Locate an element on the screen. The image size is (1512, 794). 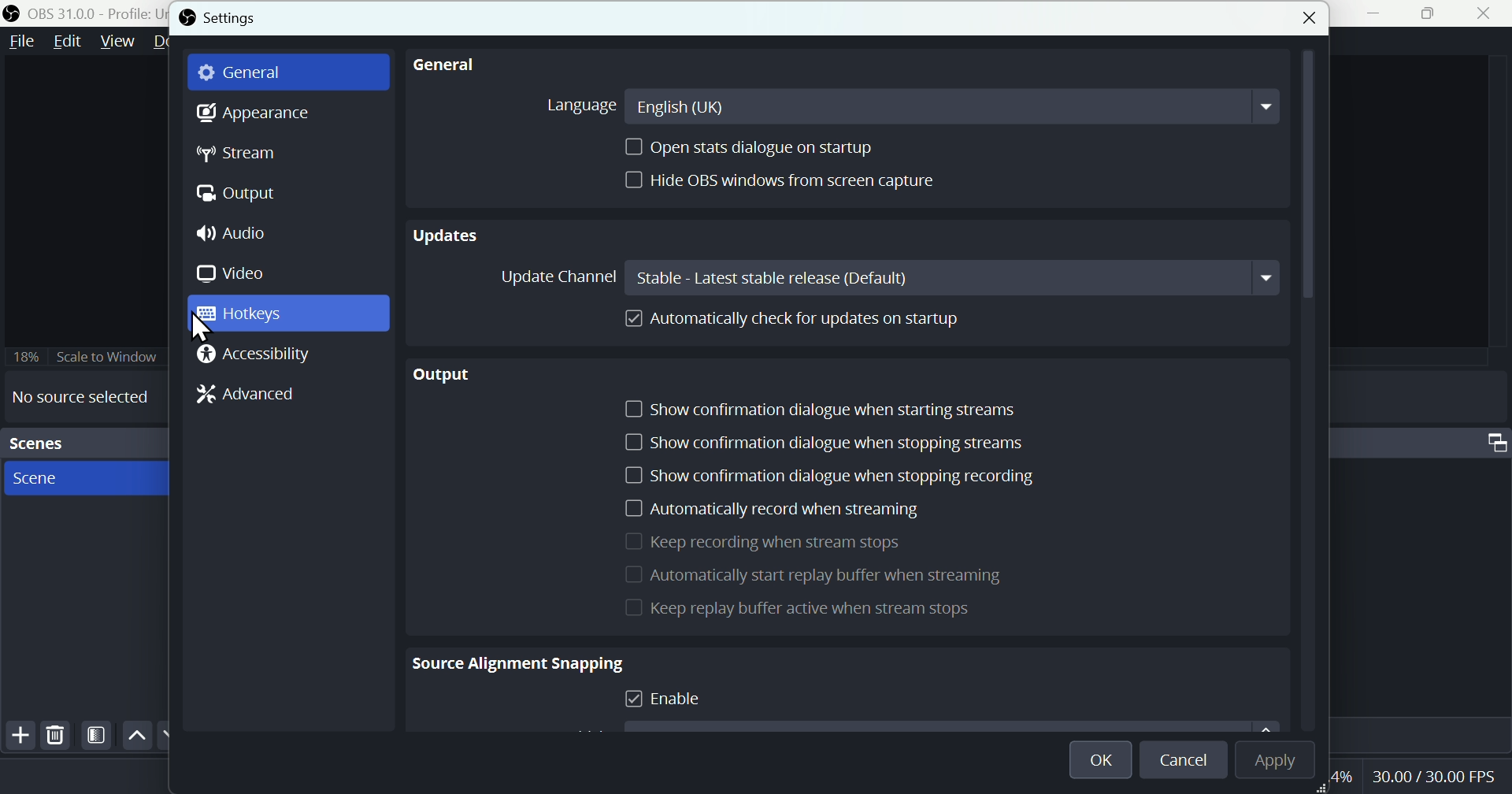
Filter is located at coordinates (97, 736).